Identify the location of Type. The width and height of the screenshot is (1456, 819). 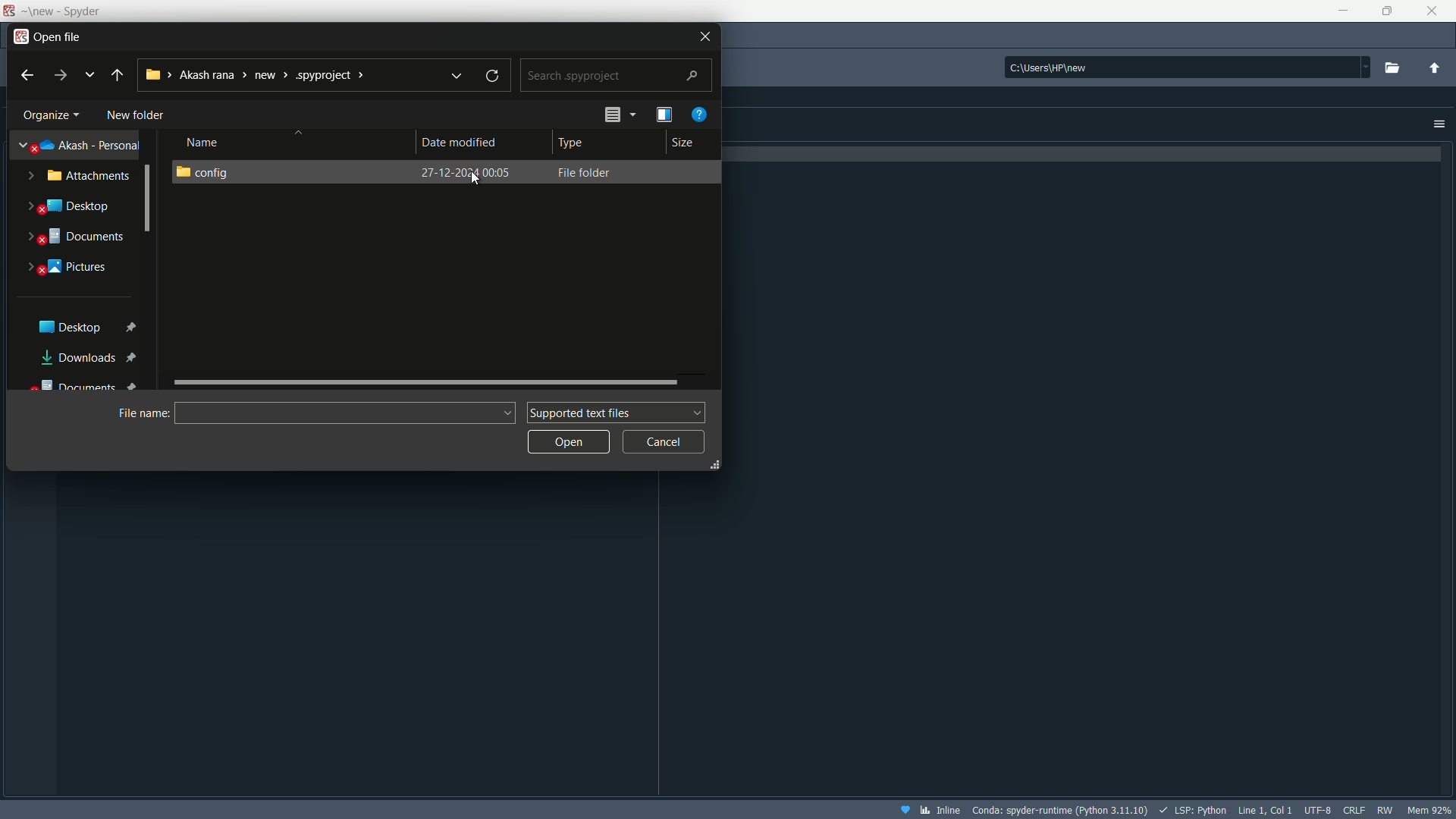
(576, 143).